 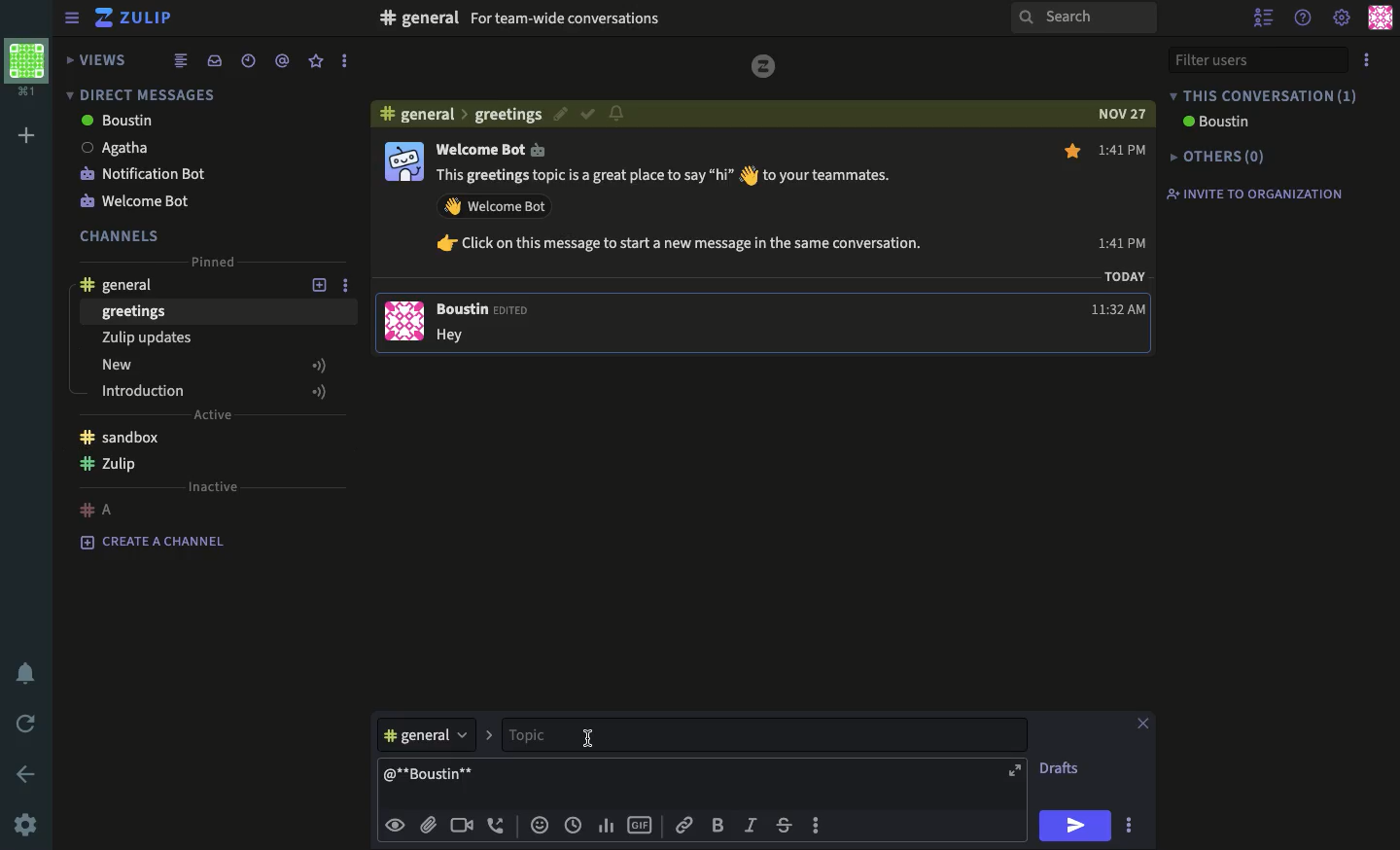 What do you see at coordinates (145, 337) in the screenshot?
I see `Zulip updates` at bounding box center [145, 337].